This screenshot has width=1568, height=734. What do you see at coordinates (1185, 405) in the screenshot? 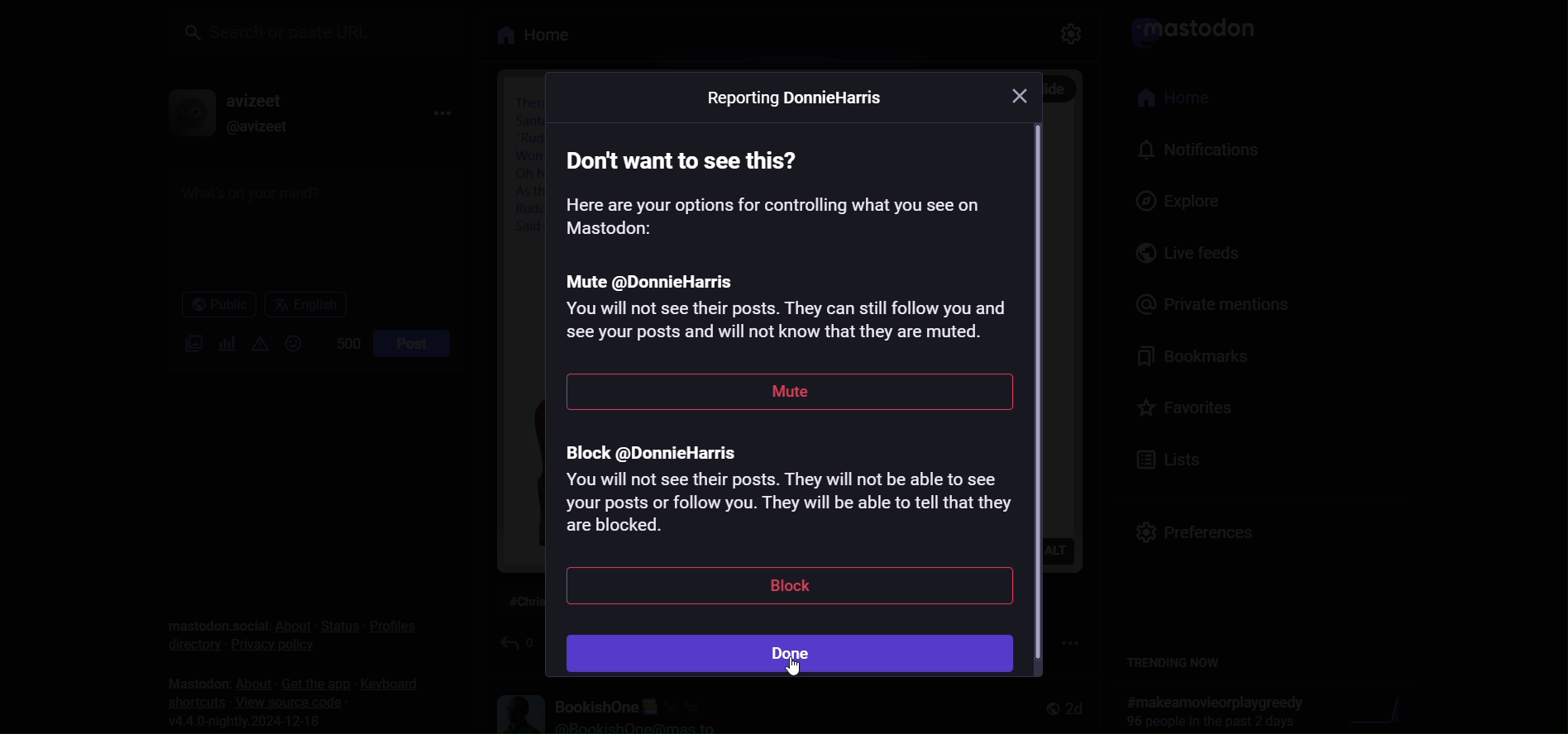
I see `favorites` at bounding box center [1185, 405].